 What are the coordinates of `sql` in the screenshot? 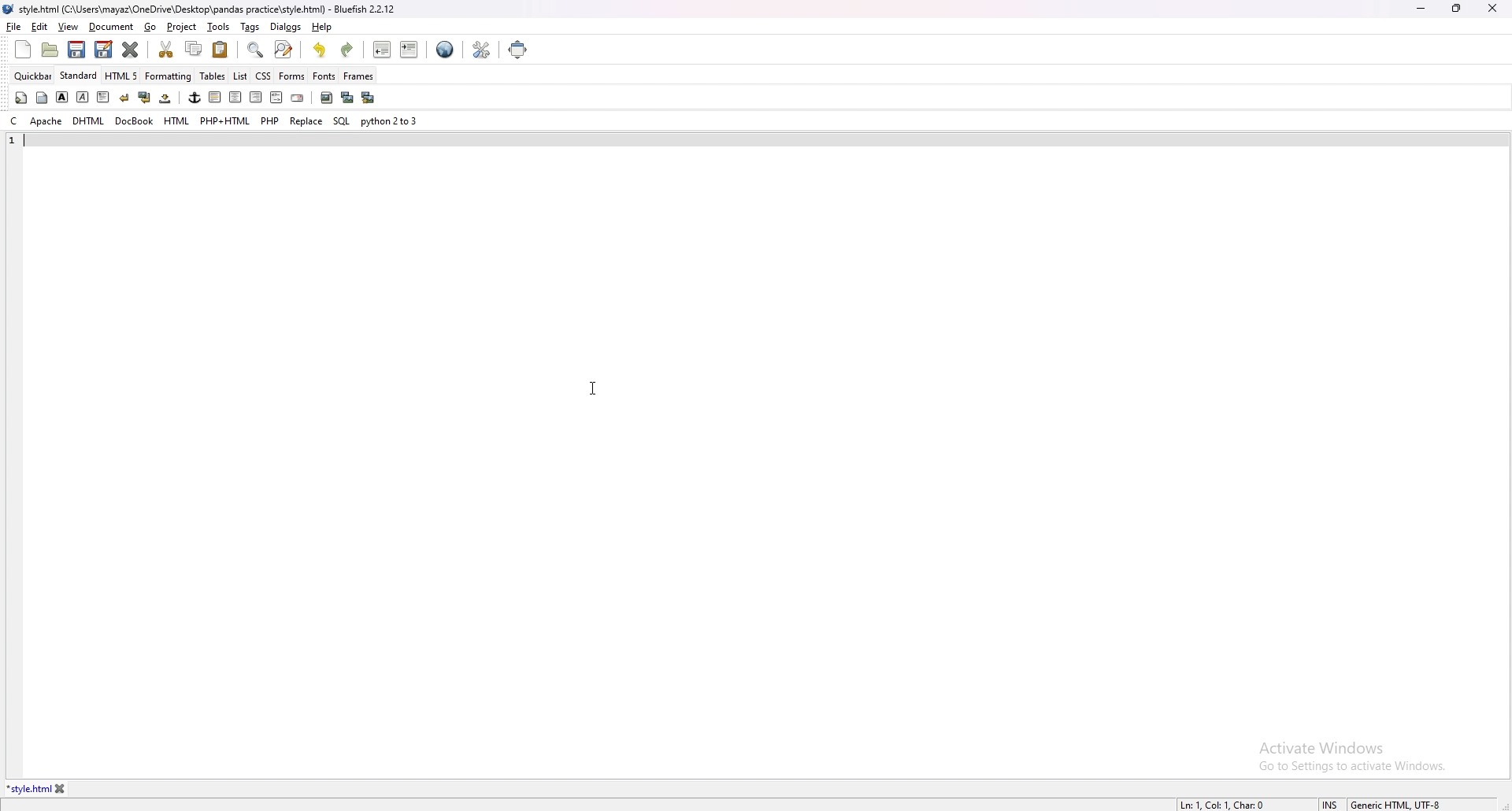 It's located at (341, 120).